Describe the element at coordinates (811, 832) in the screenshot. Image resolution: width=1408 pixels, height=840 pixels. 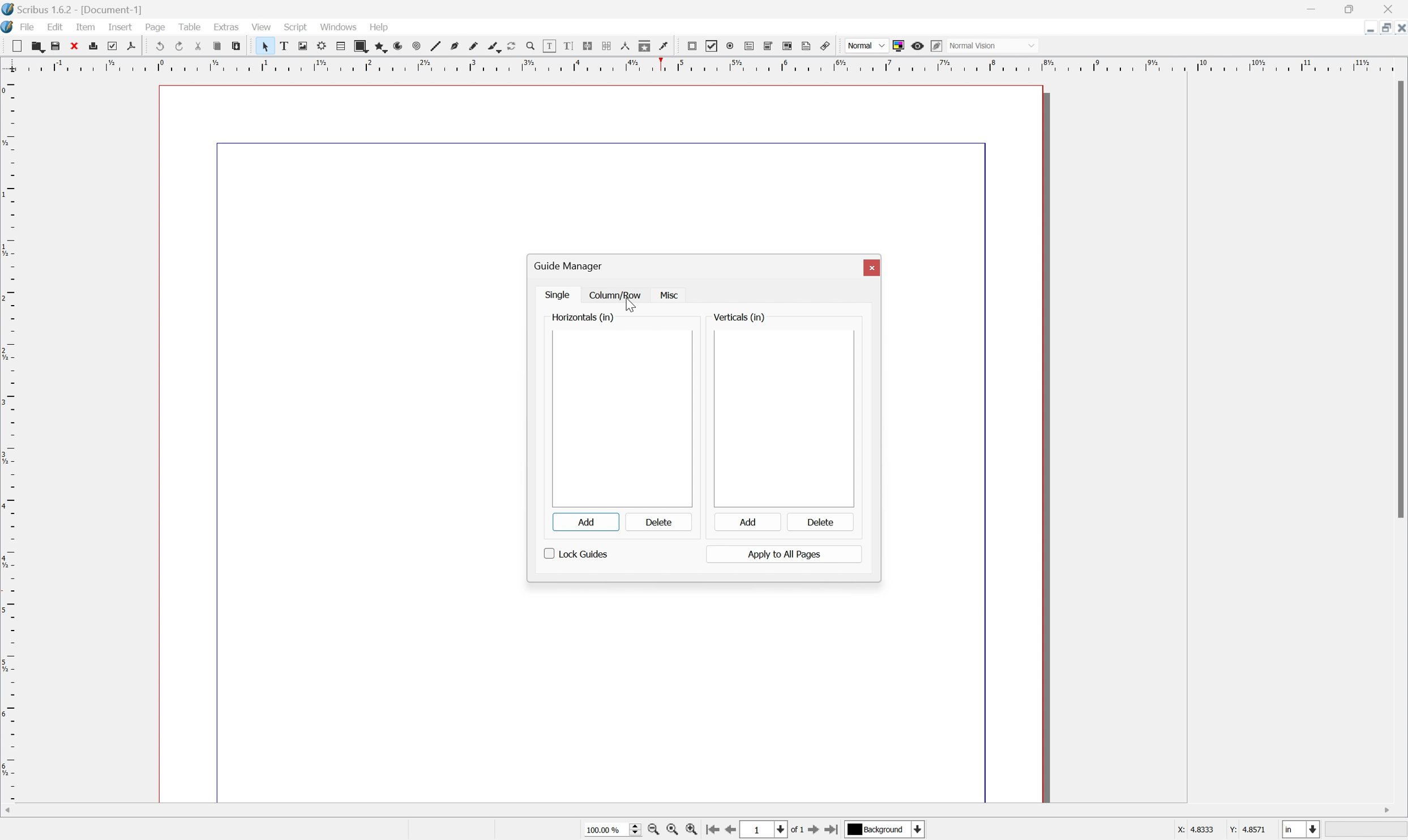
I see `go to next page` at that location.